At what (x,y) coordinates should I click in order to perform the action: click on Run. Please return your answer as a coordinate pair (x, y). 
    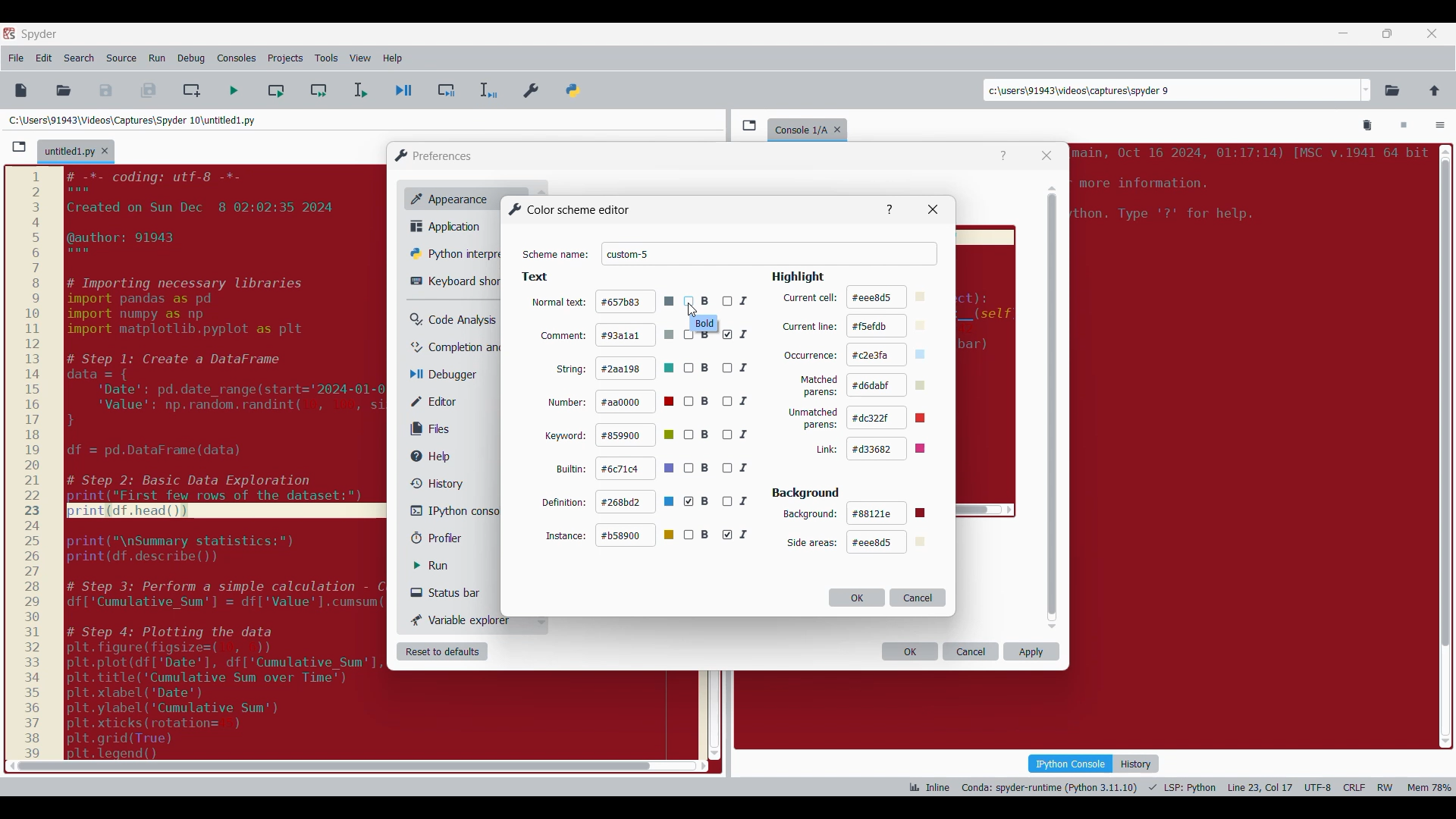
    Looking at the image, I should click on (442, 566).